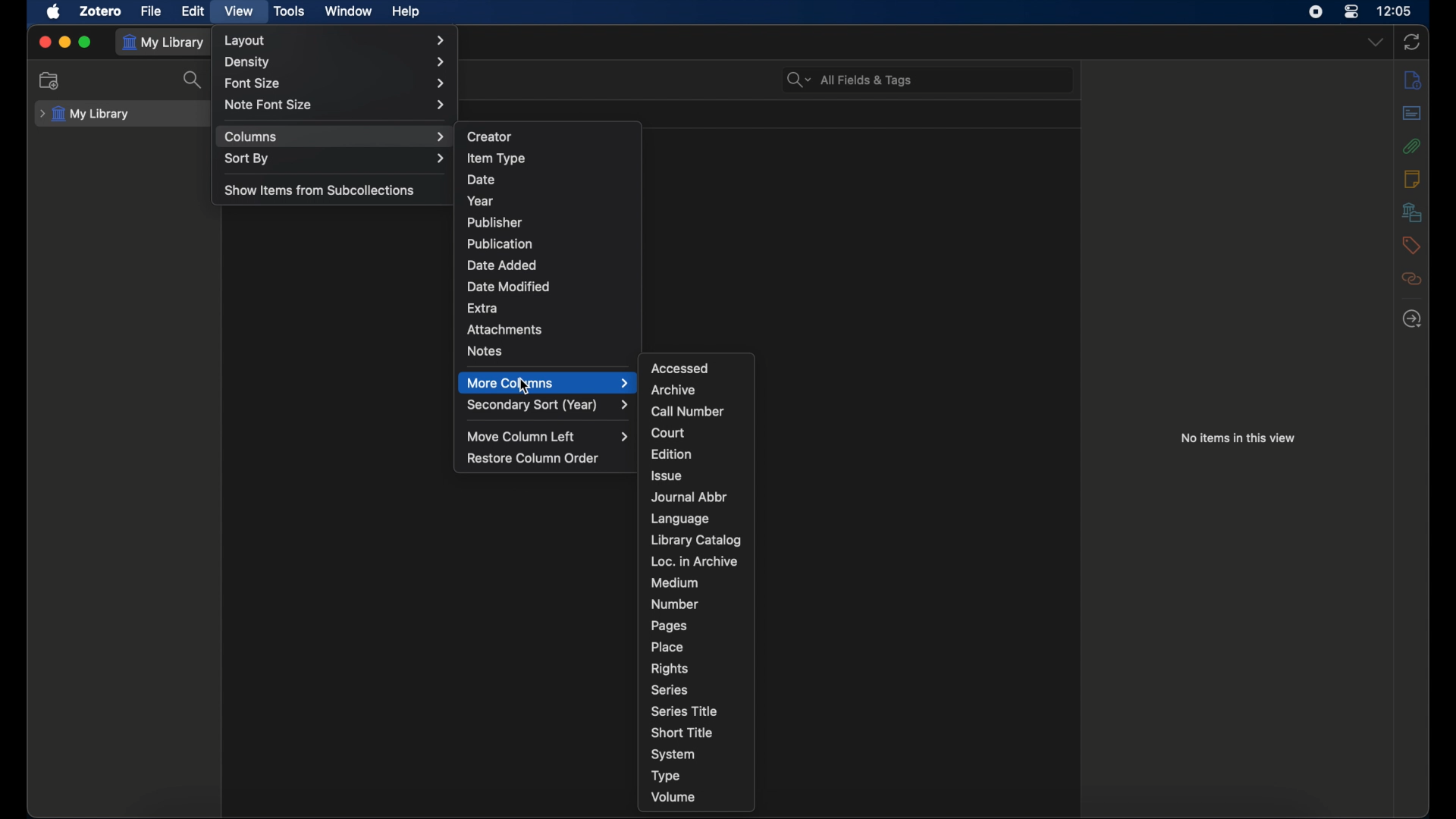 This screenshot has width=1456, height=819. I want to click on series title, so click(684, 711).